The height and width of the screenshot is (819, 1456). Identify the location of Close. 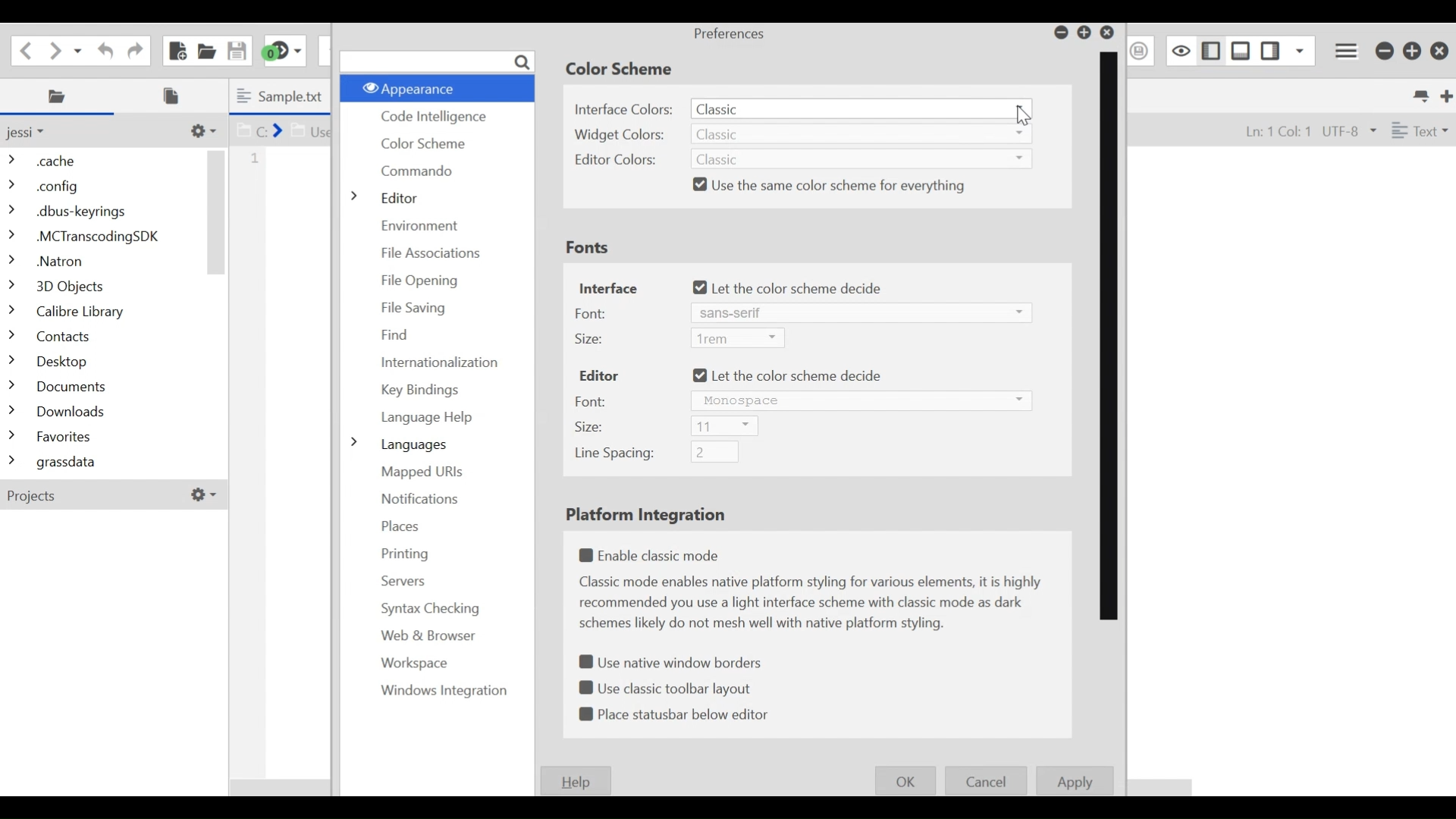
(1439, 52).